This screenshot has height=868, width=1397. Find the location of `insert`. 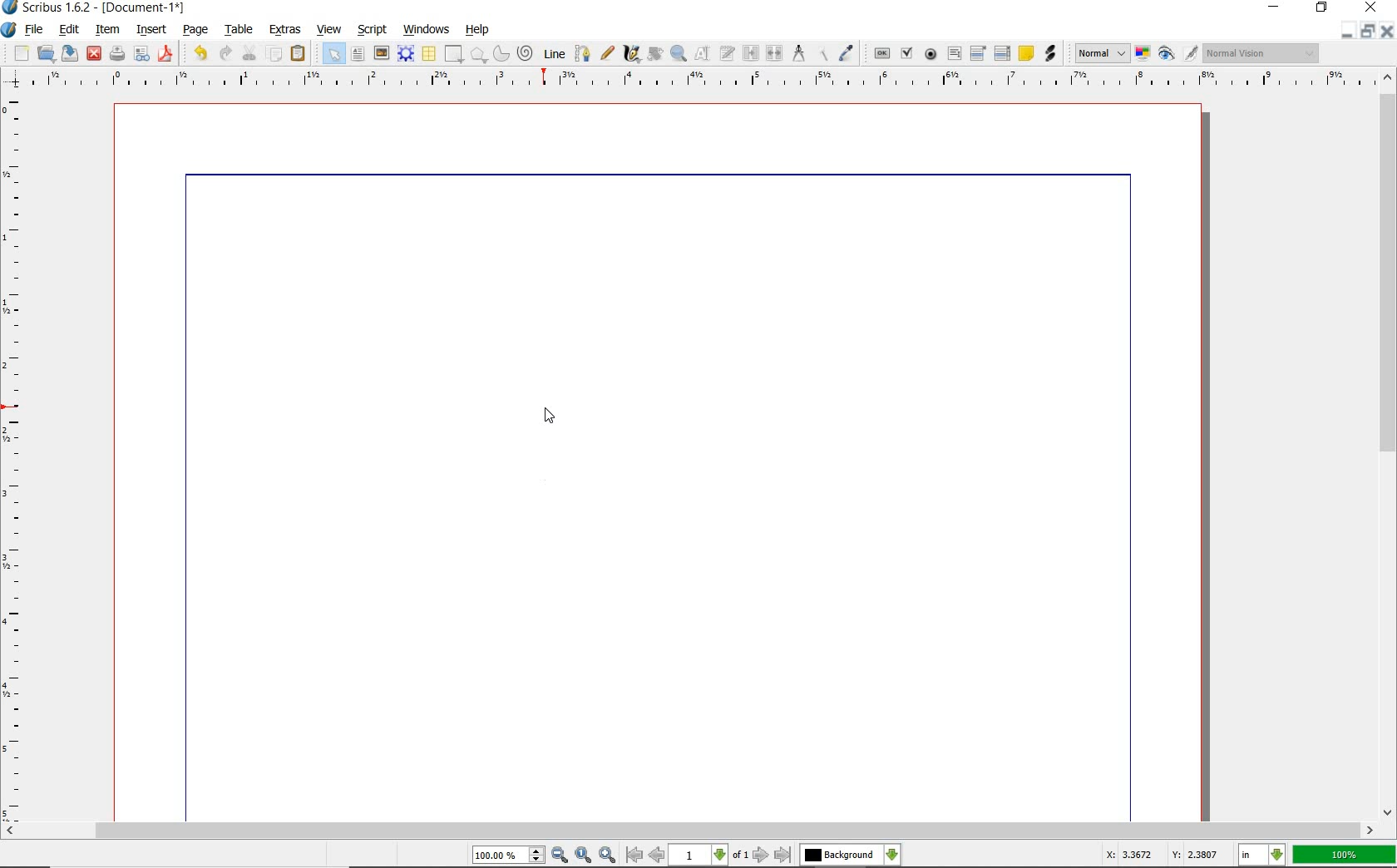

insert is located at coordinates (152, 29).